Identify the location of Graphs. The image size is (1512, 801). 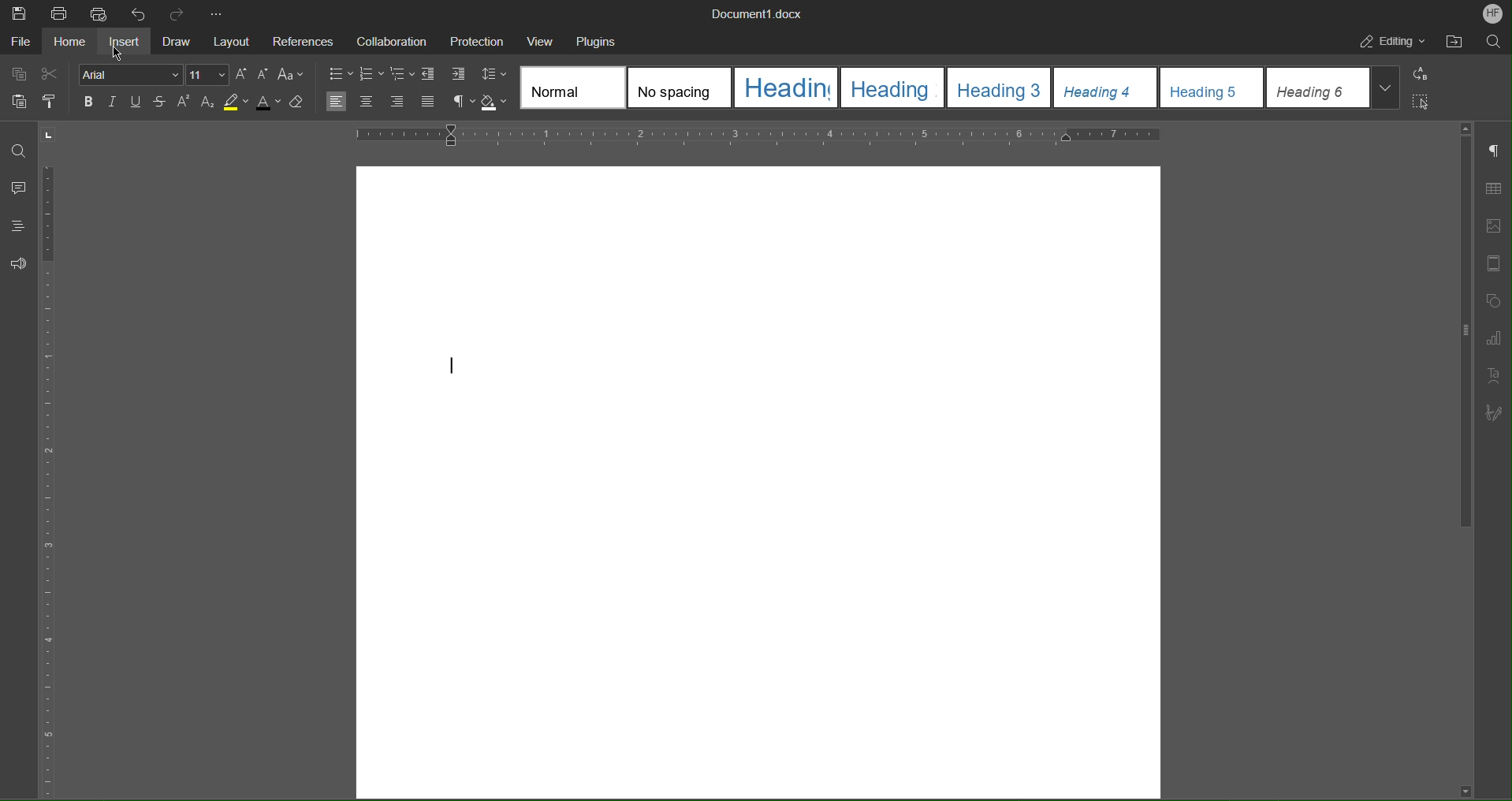
(1492, 339).